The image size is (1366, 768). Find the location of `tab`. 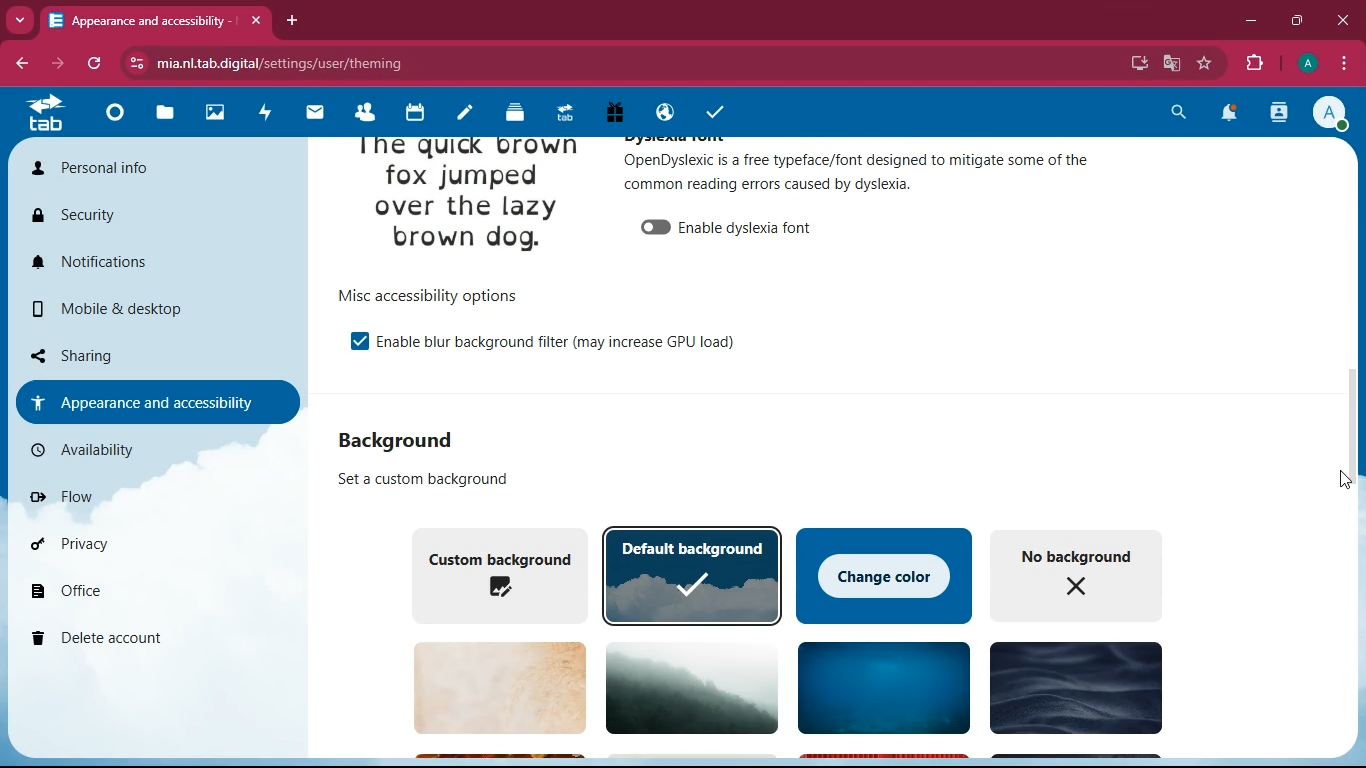

tab is located at coordinates (46, 113).